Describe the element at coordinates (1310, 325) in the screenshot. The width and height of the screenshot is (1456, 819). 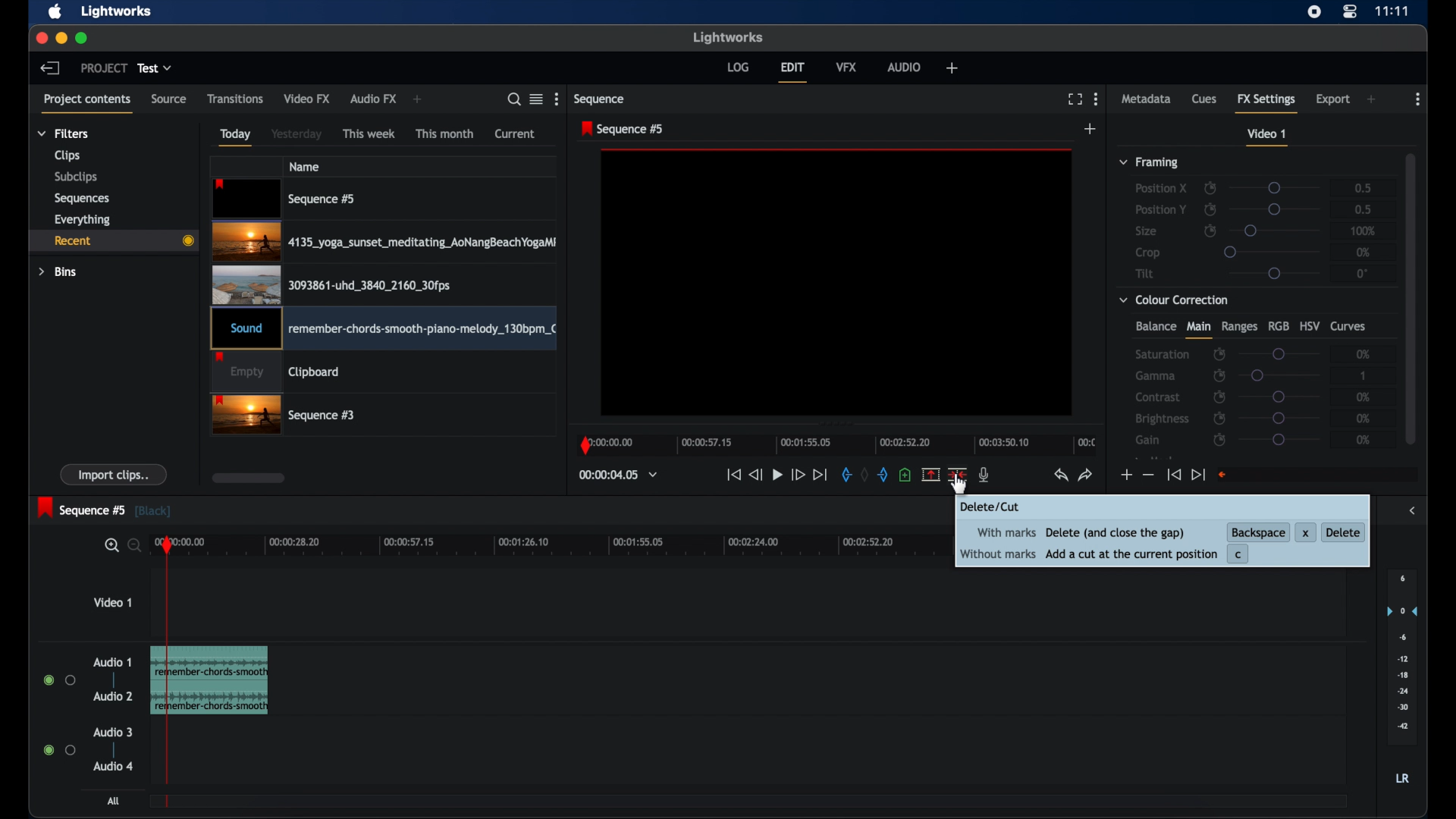
I see `hsv` at that location.